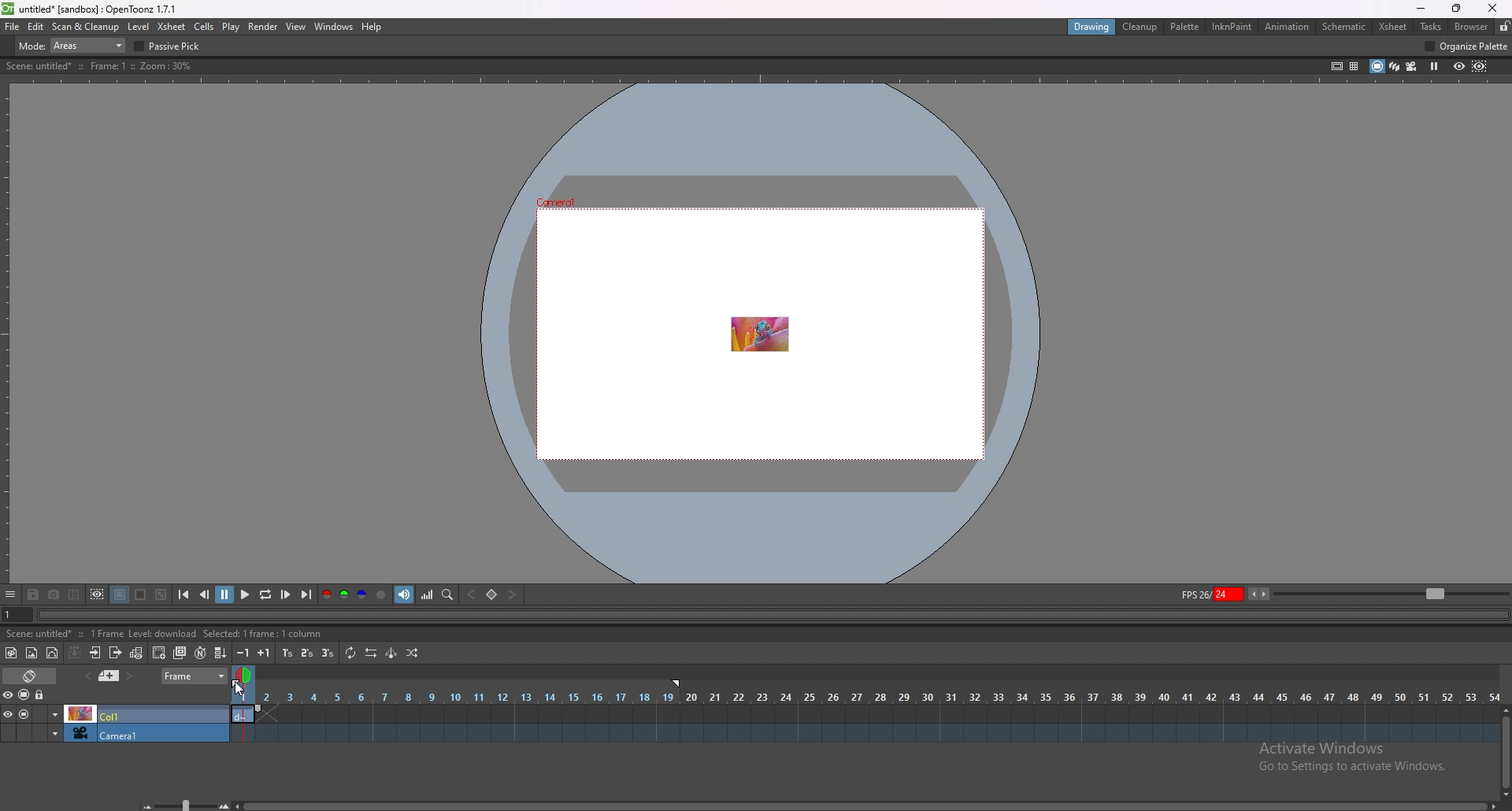 The width and height of the screenshot is (1512, 811). What do you see at coordinates (138, 654) in the screenshot?
I see `toggle edit in place` at bounding box center [138, 654].